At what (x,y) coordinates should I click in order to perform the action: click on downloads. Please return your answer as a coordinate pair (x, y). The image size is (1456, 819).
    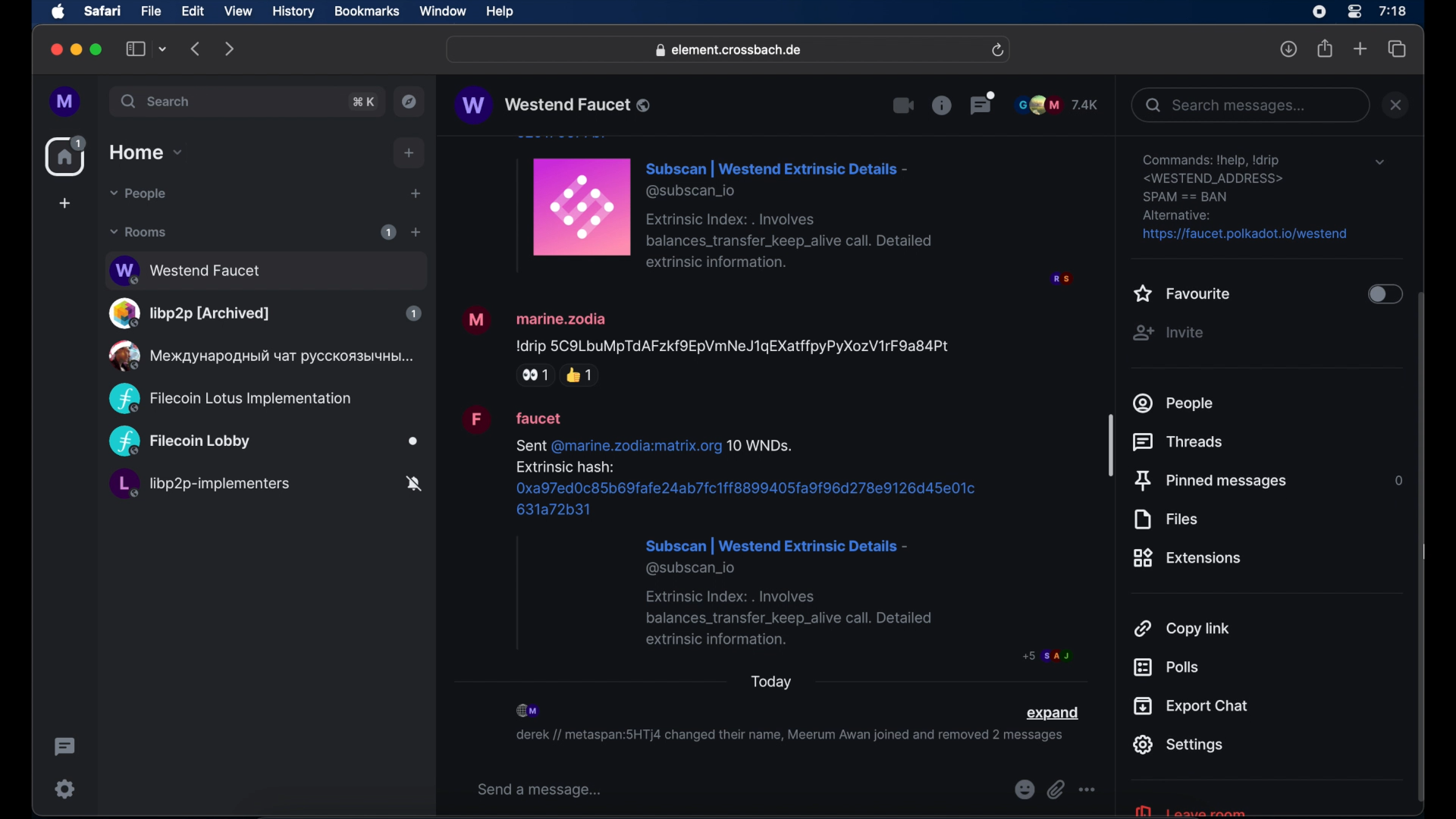
    Looking at the image, I should click on (1289, 49).